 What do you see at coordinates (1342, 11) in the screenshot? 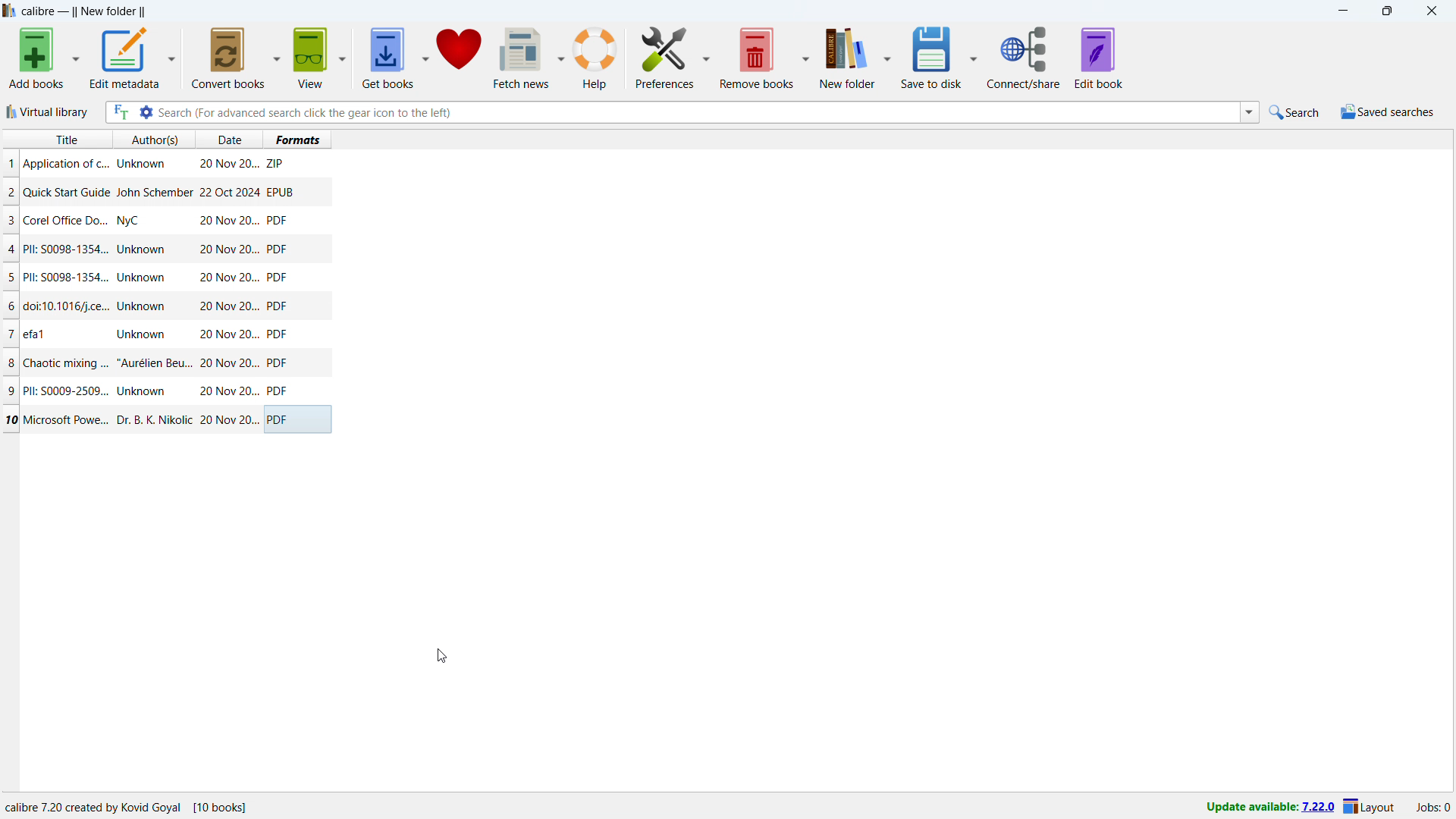
I see `minimize` at bounding box center [1342, 11].